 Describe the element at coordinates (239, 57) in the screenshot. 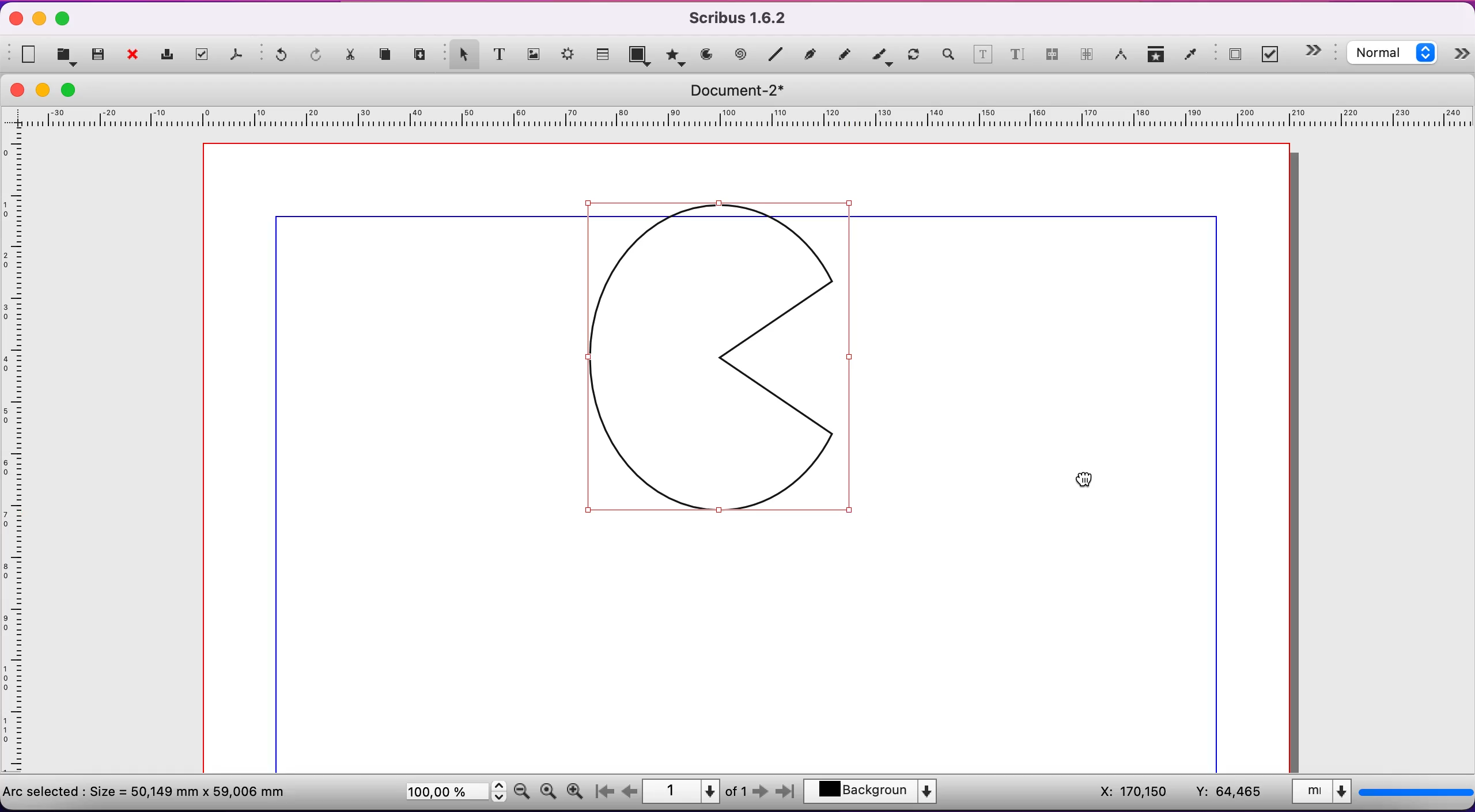

I see `export as pdf` at that location.